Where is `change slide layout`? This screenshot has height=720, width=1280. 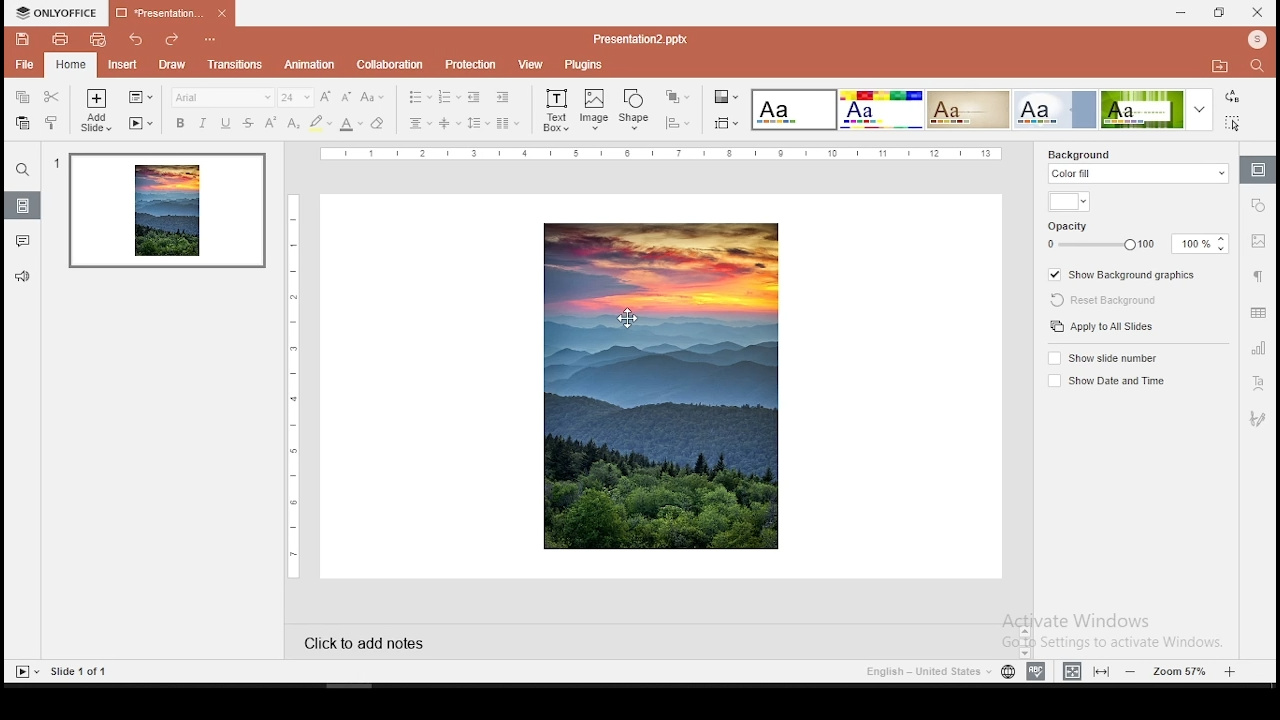
change slide layout is located at coordinates (139, 97).